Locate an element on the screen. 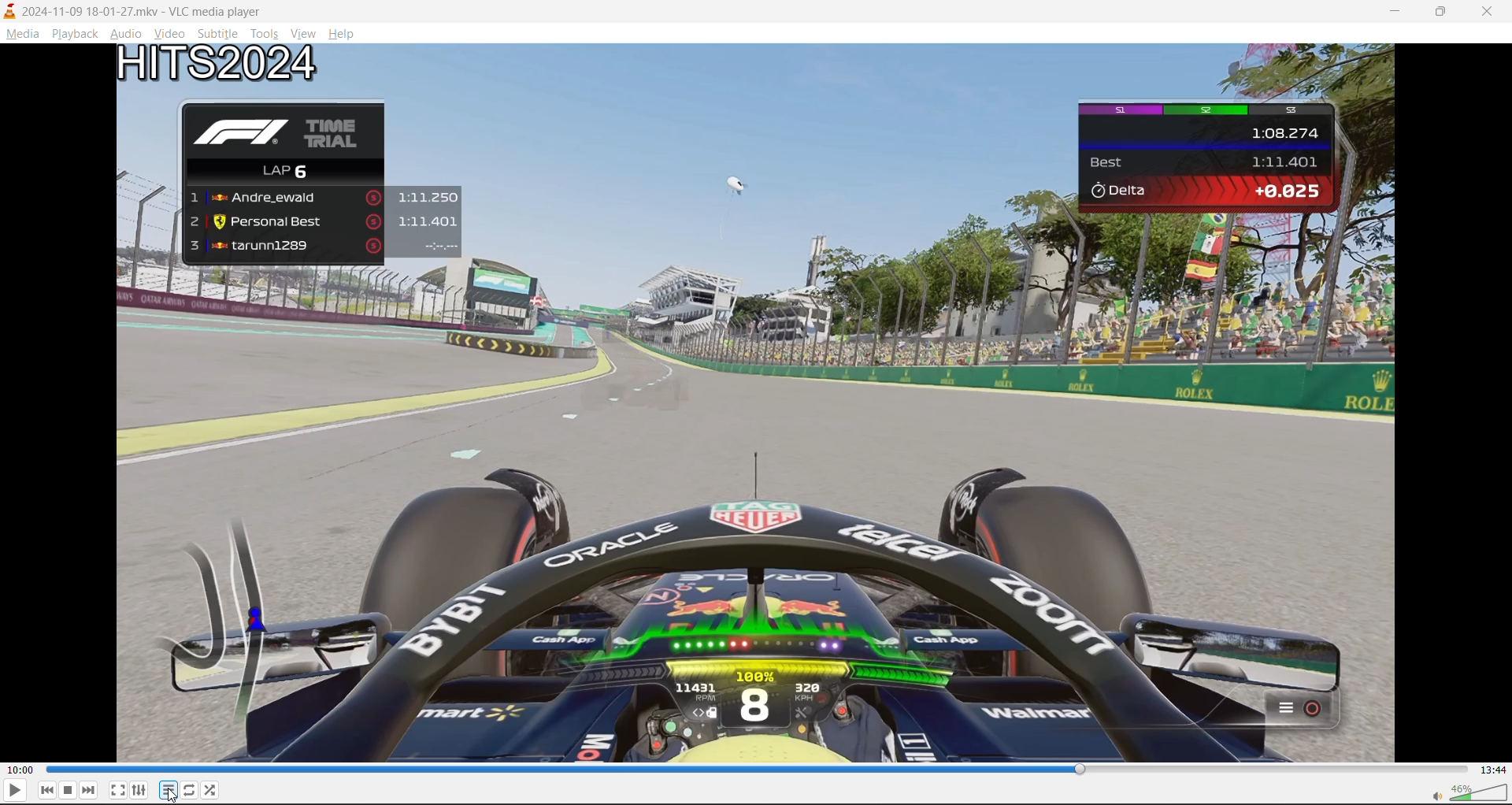 The width and height of the screenshot is (1512, 805). track and app name is located at coordinates (132, 11).